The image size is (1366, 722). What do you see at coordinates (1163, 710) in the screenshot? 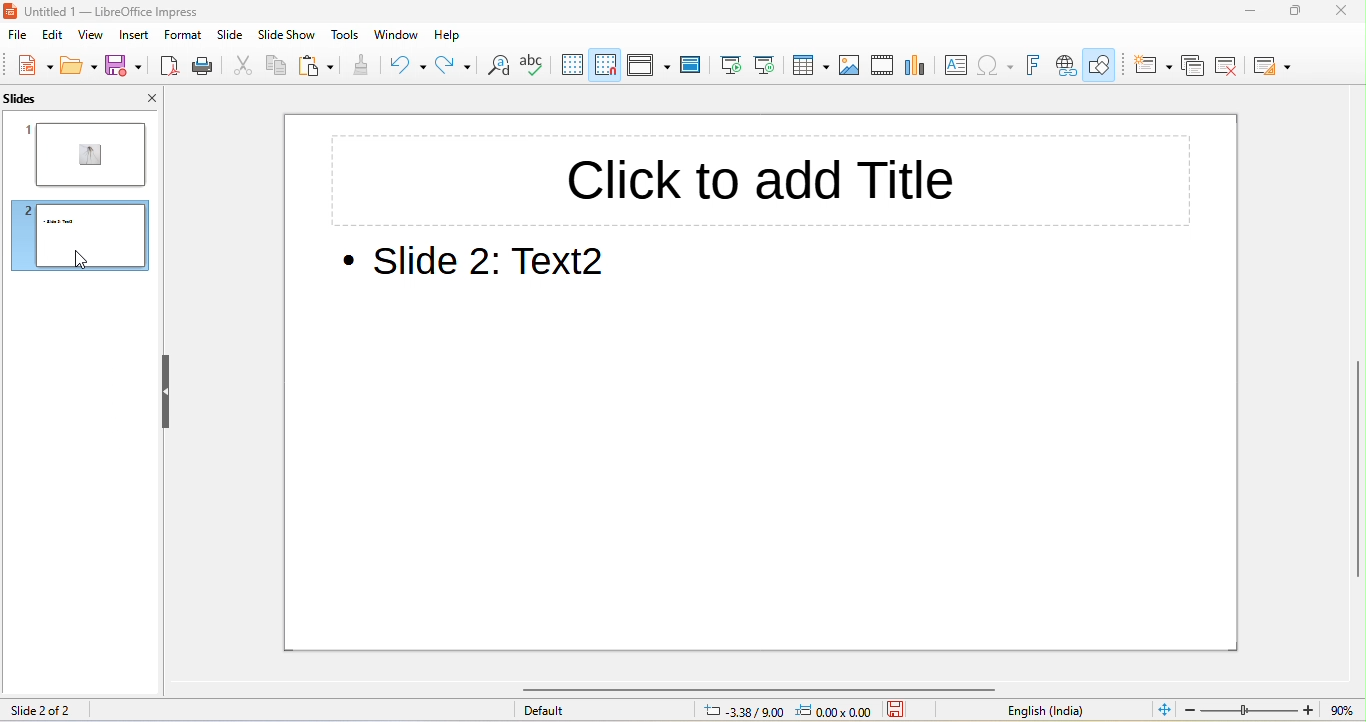
I see `fit slide to current window` at bounding box center [1163, 710].